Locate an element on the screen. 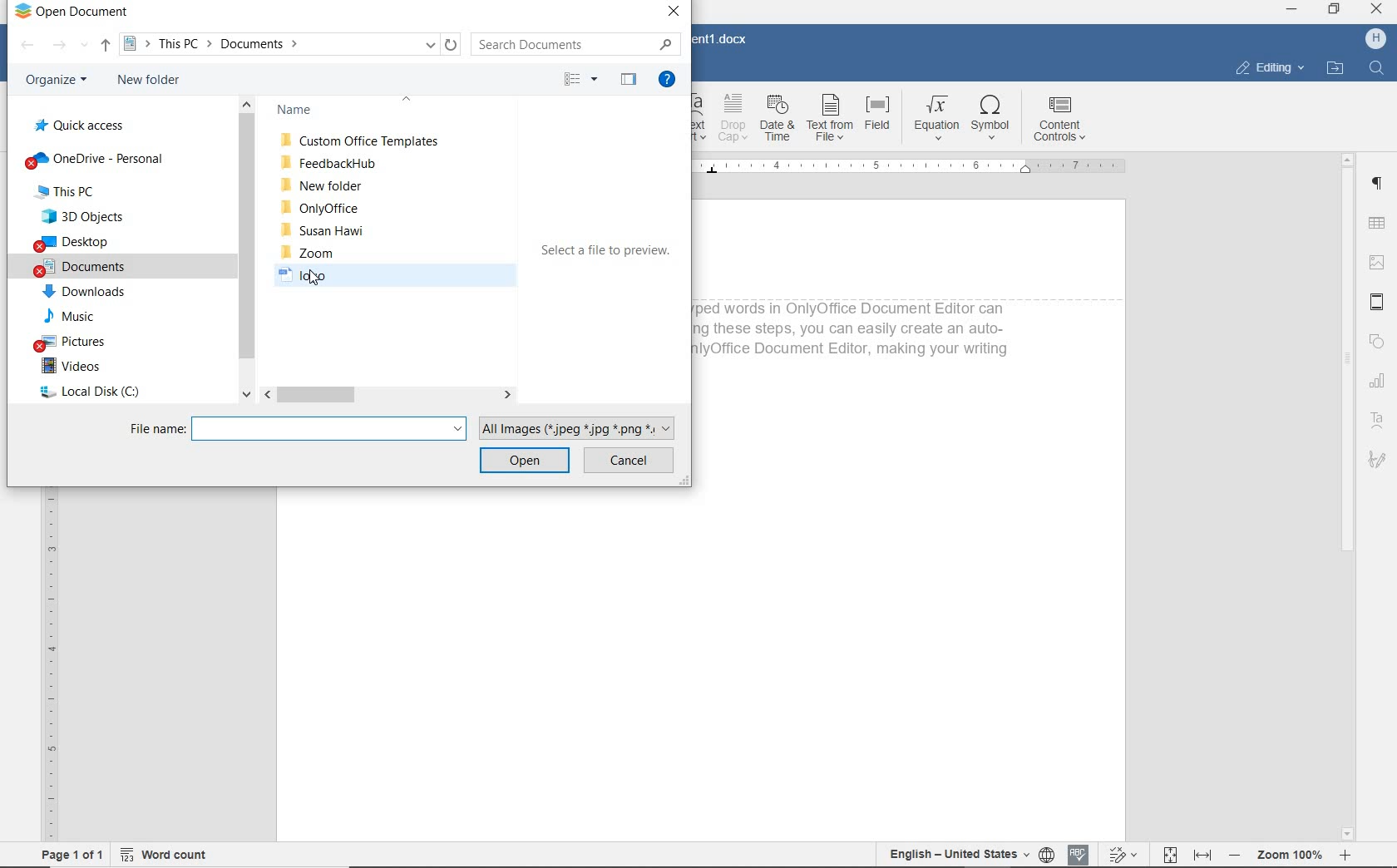 Image resolution: width=1397 pixels, height=868 pixels. TEXT ART is located at coordinates (701, 121).